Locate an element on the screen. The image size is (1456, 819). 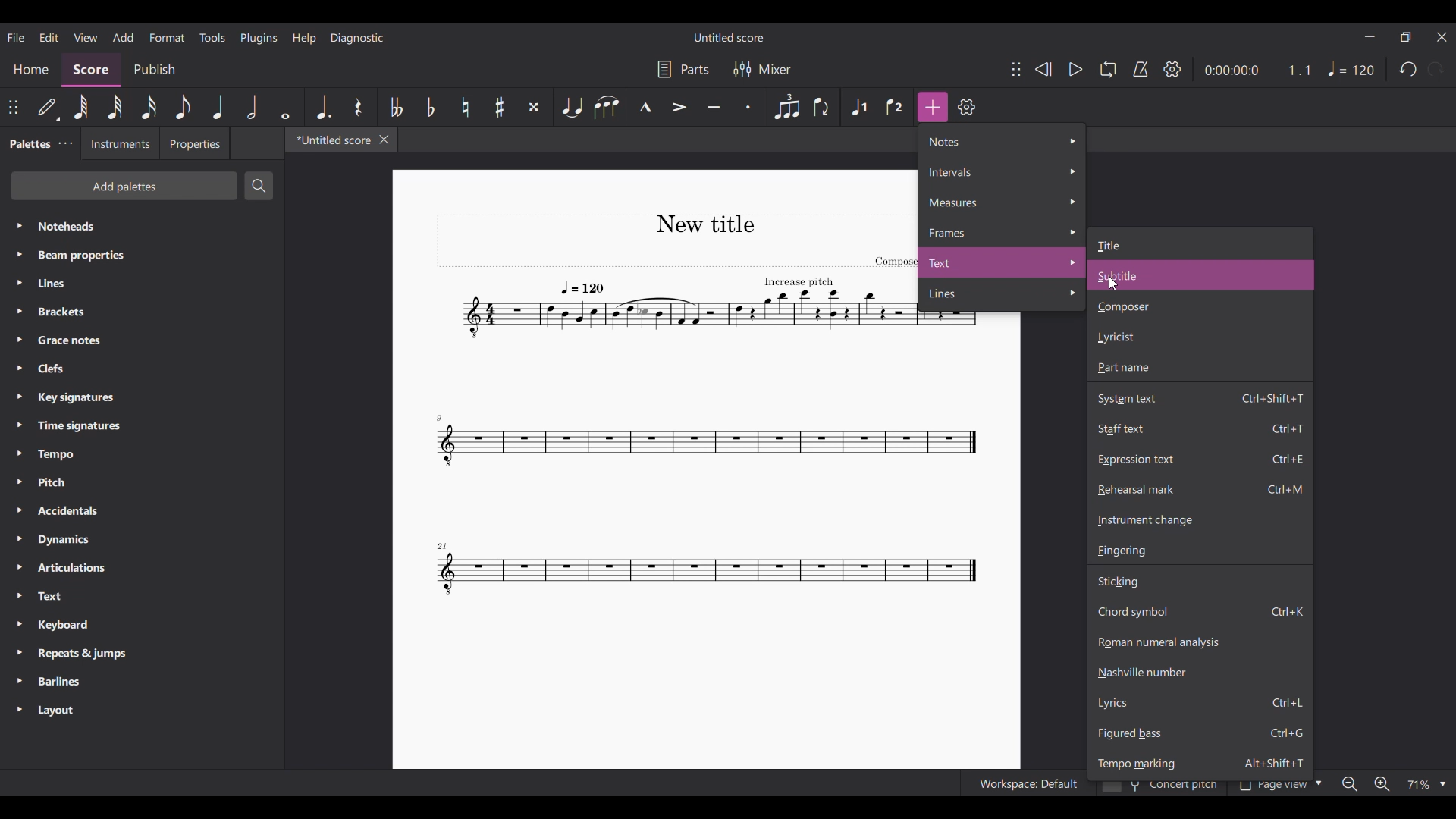
Text is located at coordinates (142, 597).